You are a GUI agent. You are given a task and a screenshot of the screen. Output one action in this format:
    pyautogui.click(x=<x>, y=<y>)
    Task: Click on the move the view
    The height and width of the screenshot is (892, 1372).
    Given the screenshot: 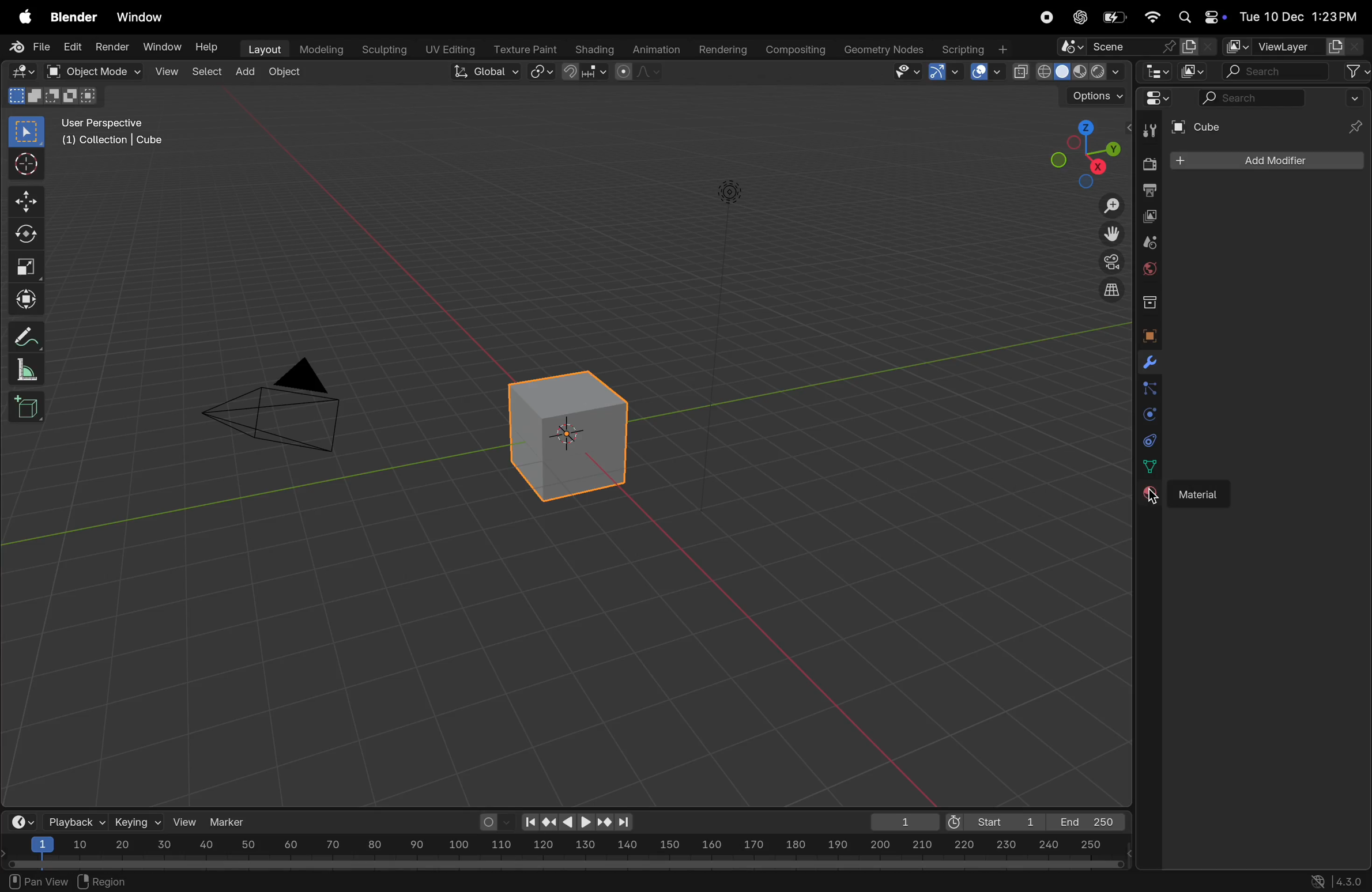 What is the action you would take?
    pyautogui.click(x=1111, y=232)
    